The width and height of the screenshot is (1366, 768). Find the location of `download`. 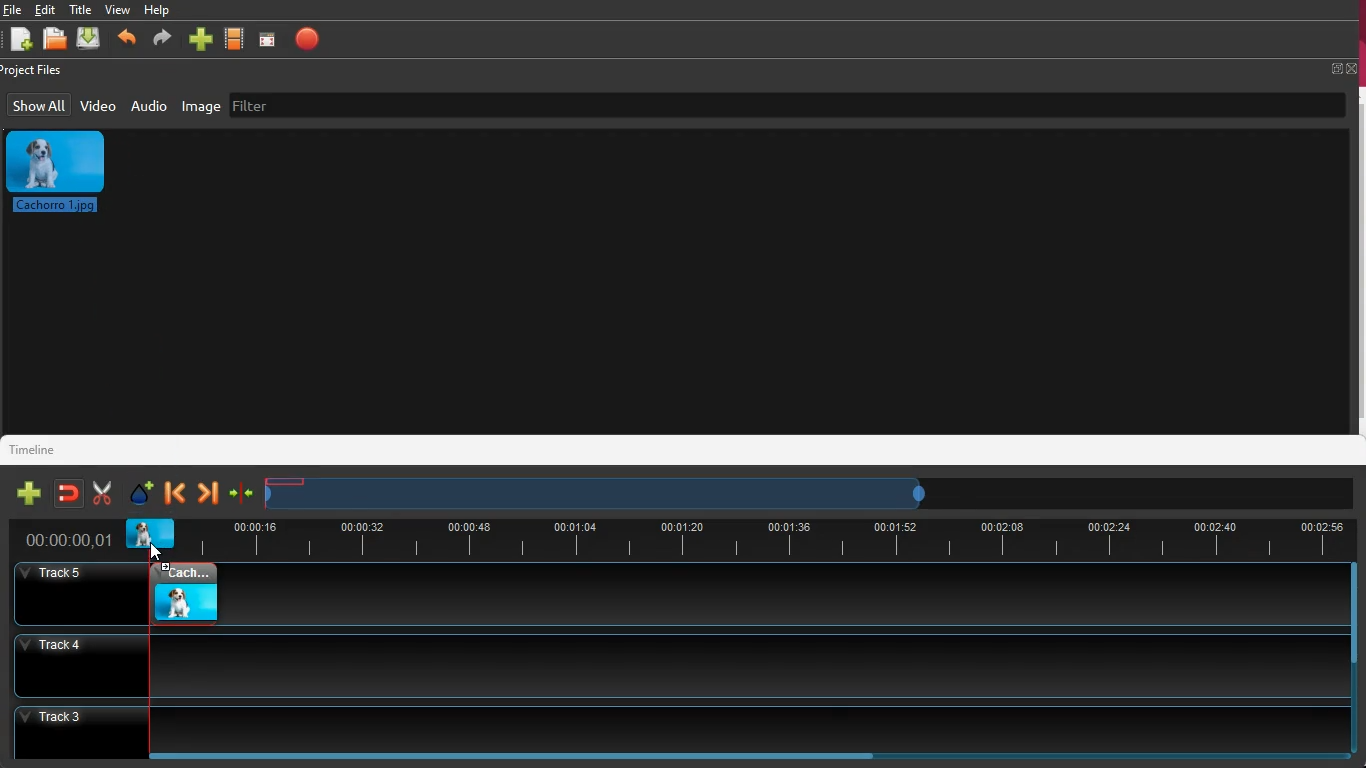

download is located at coordinates (90, 37).